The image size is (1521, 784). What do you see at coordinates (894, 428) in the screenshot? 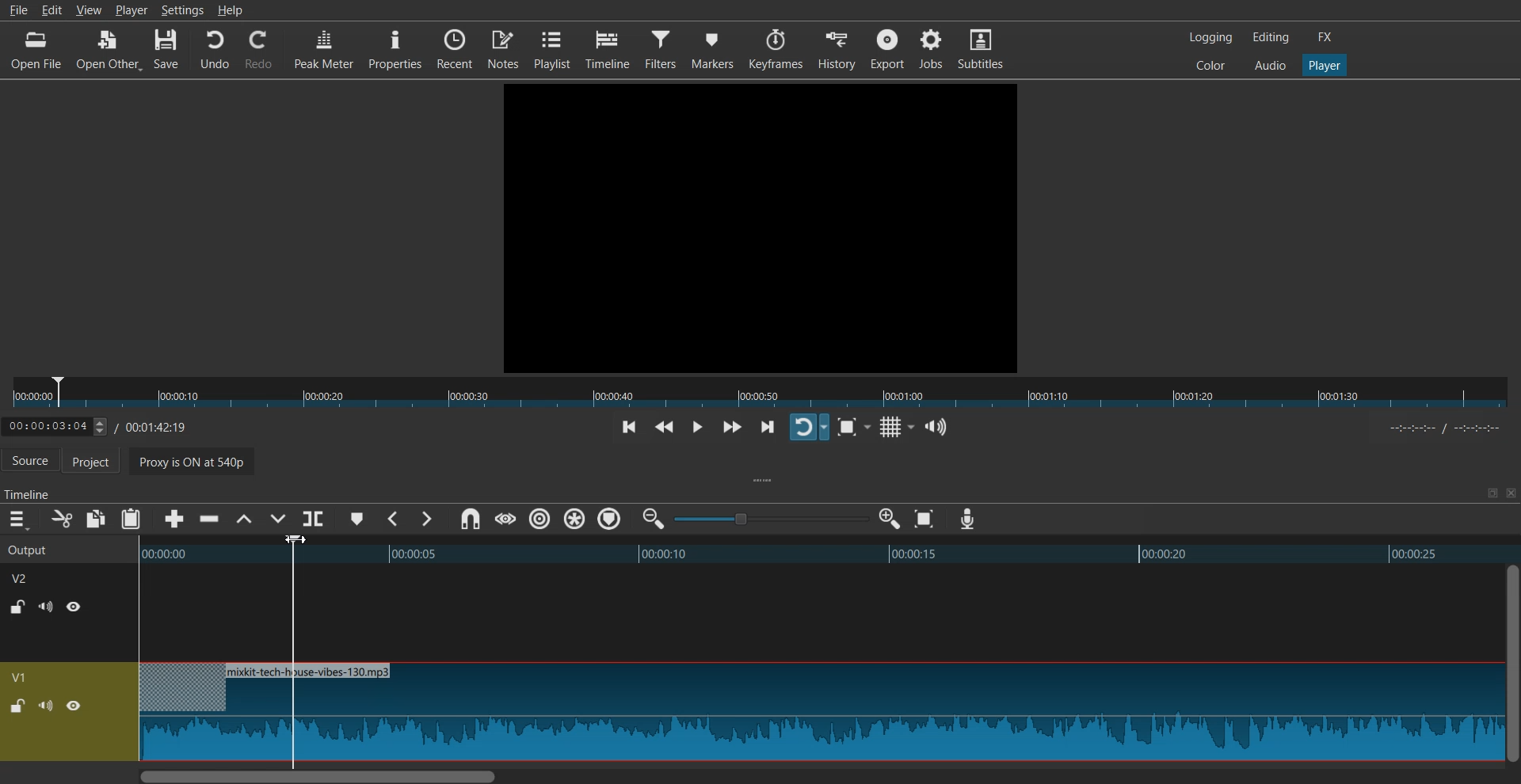
I see `Toggle grid display on the player` at bounding box center [894, 428].